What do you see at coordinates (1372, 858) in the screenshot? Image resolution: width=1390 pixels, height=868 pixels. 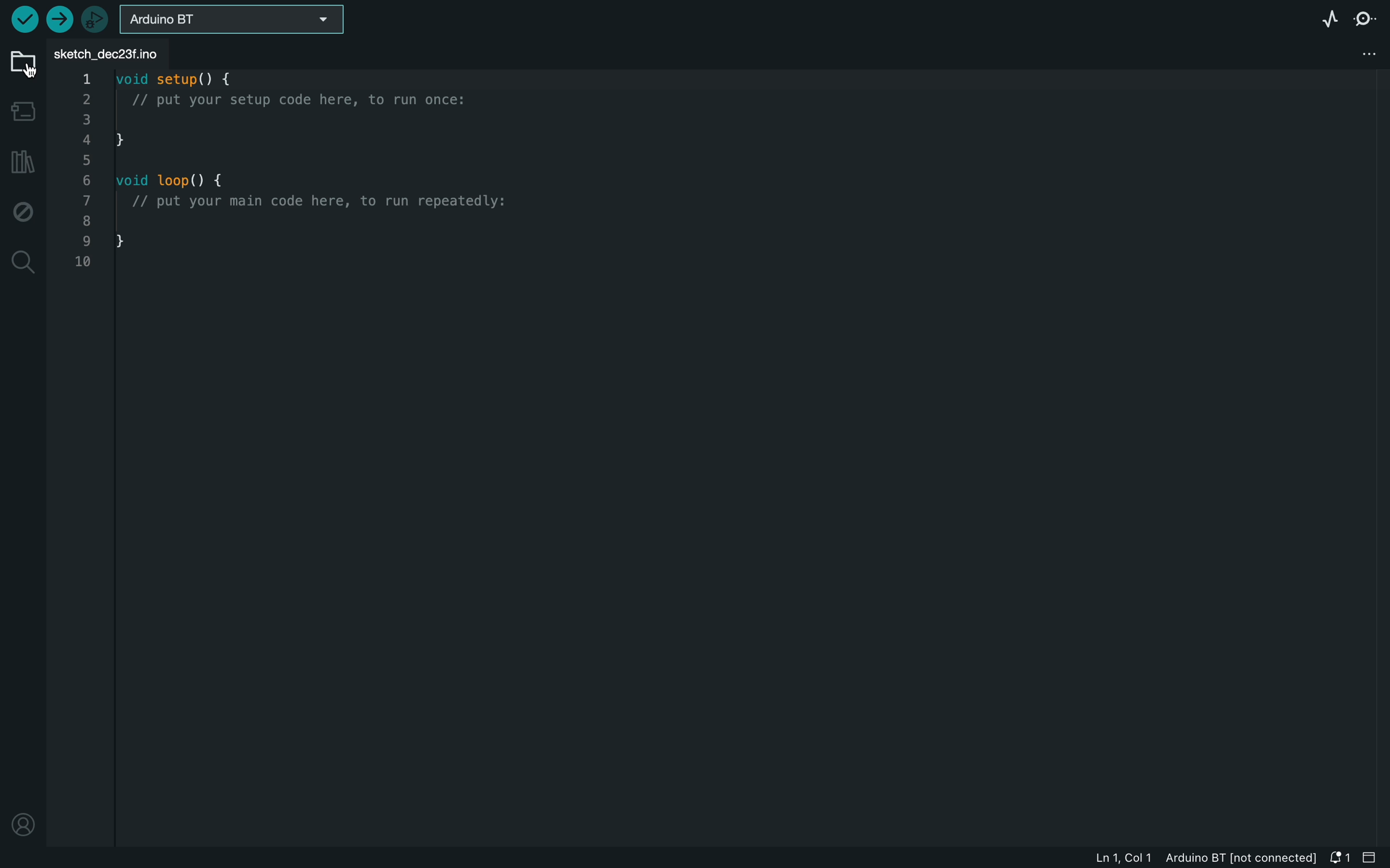 I see `close slide bar` at bounding box center [1372, 858].